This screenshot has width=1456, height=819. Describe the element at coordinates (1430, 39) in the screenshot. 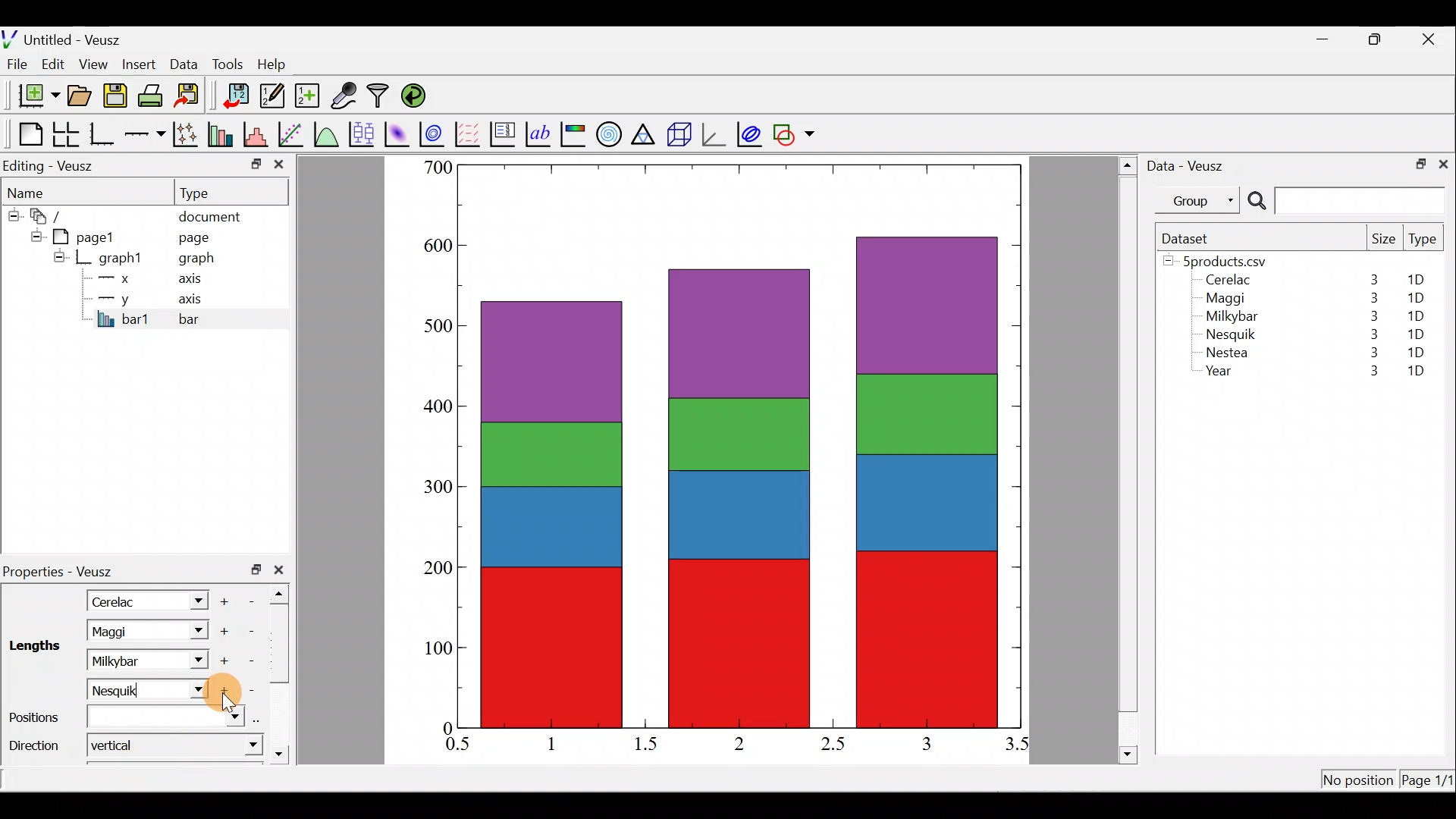

I see `close` at that location.